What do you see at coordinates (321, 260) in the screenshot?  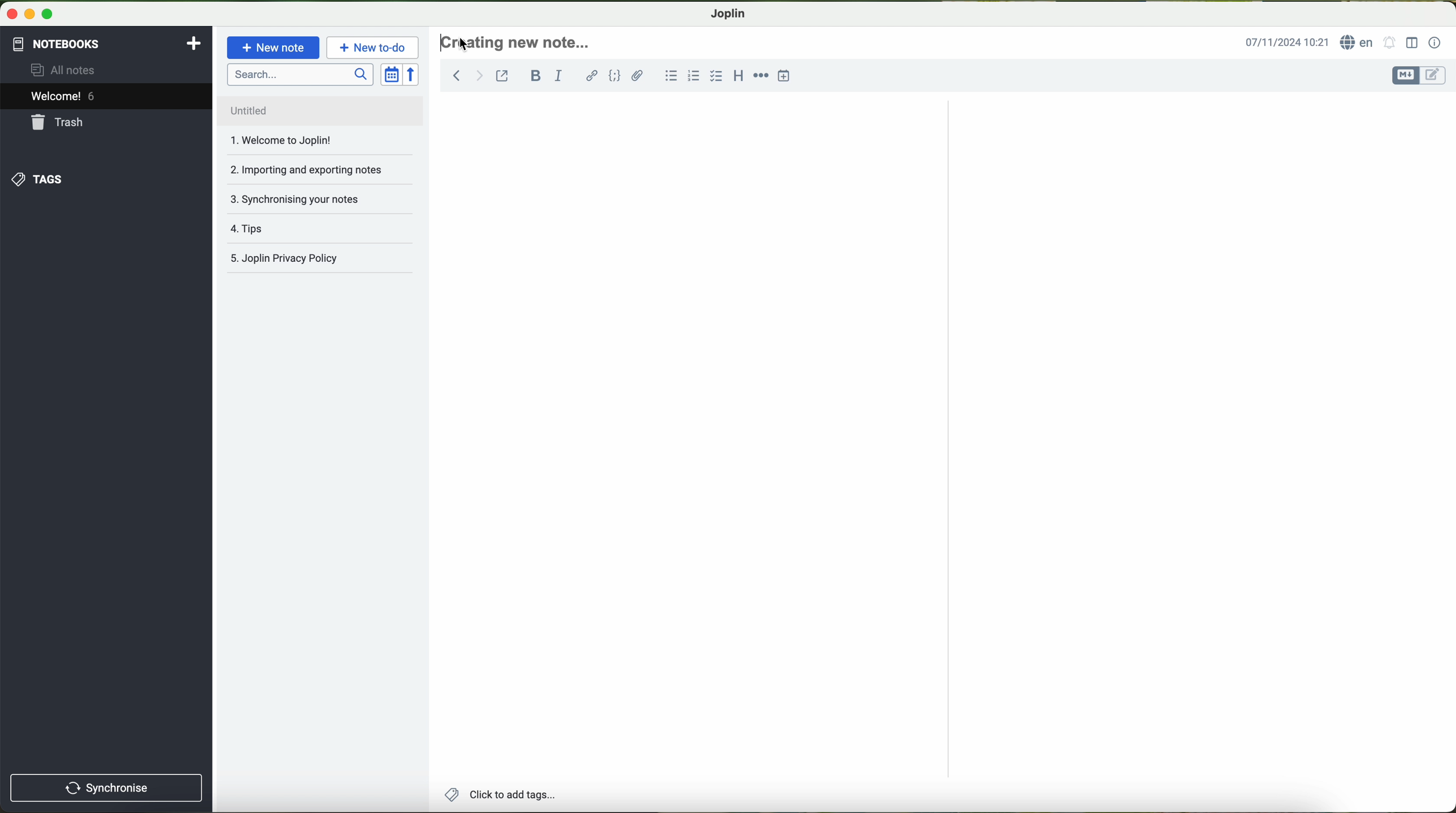 I see `Joplin privacy policy` at bounding box center [321, 260].